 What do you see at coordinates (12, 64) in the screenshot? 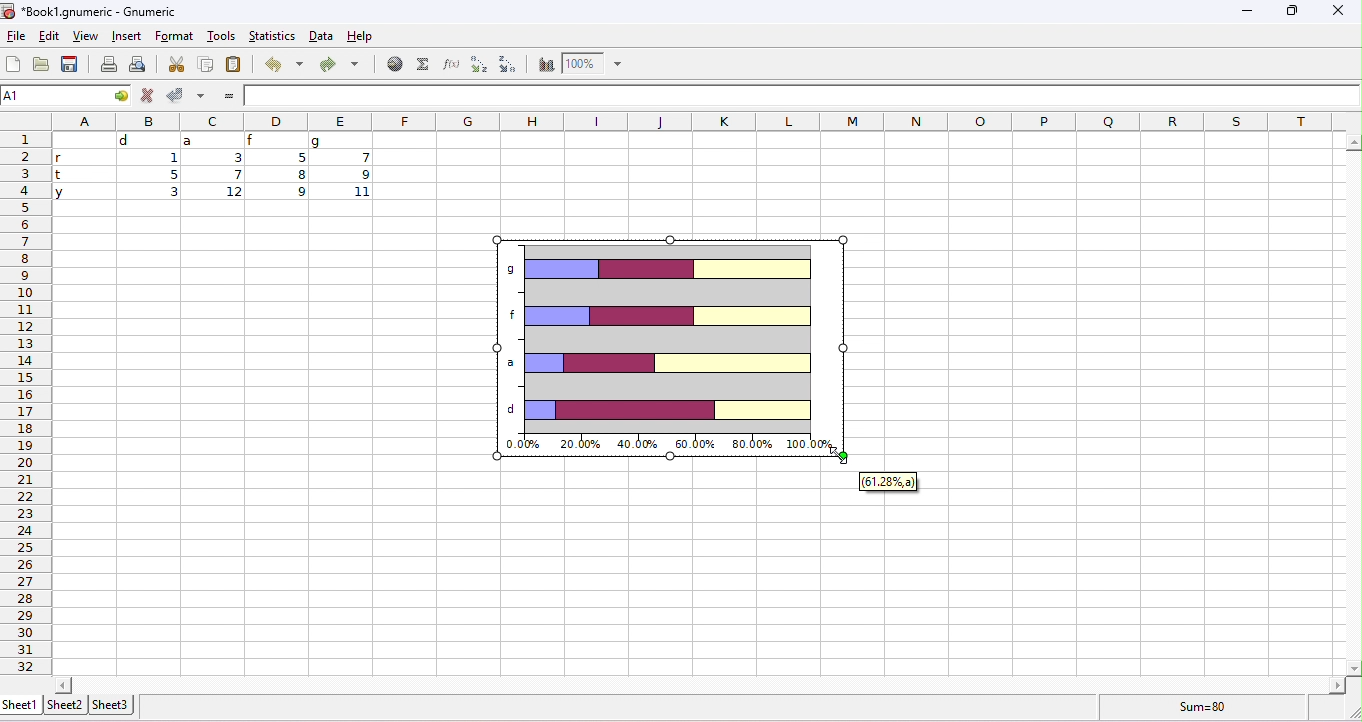
I see `new` at bounding box center [12, 64].